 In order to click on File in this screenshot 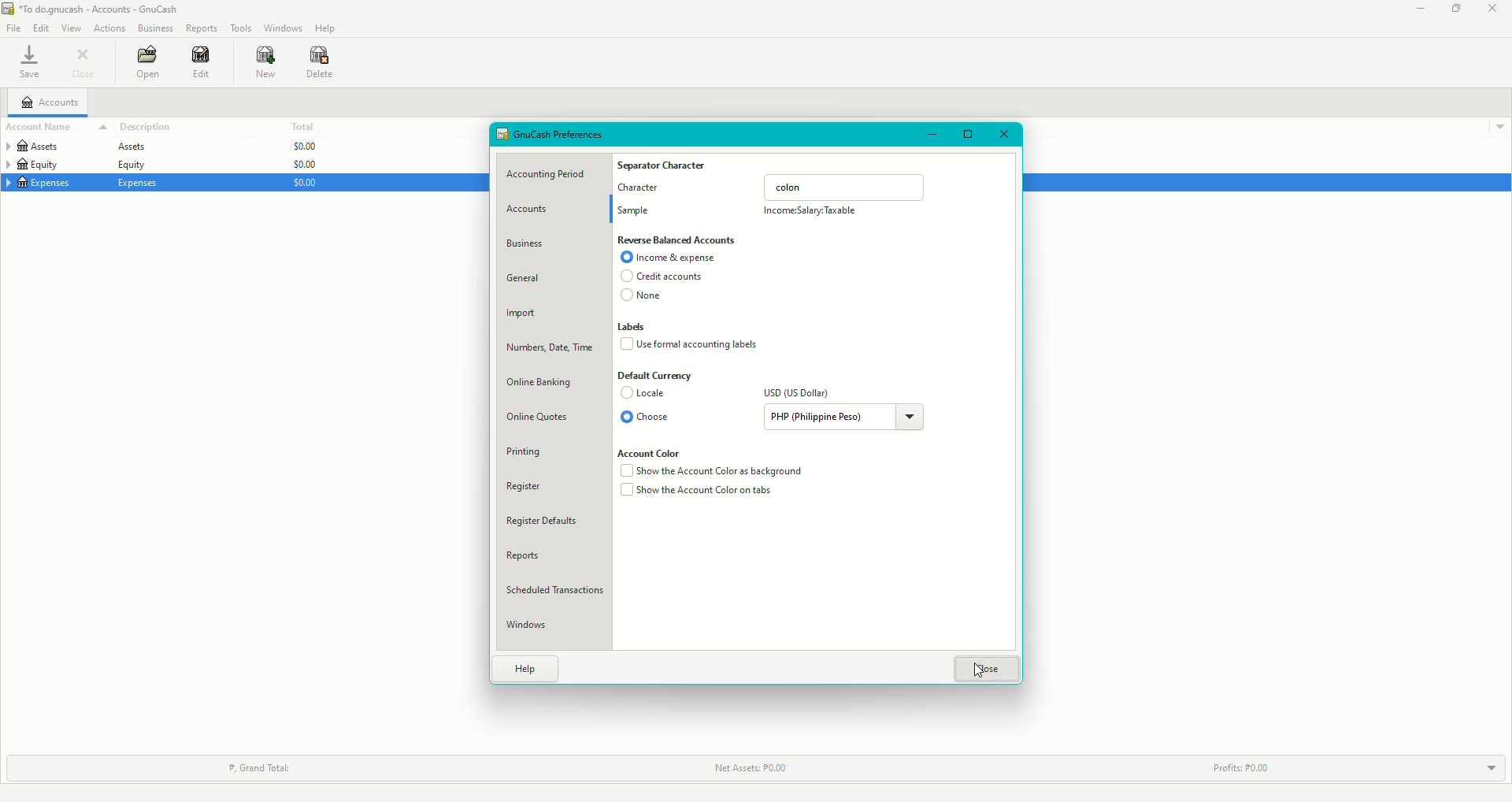, I will do `click(13, 27)`.